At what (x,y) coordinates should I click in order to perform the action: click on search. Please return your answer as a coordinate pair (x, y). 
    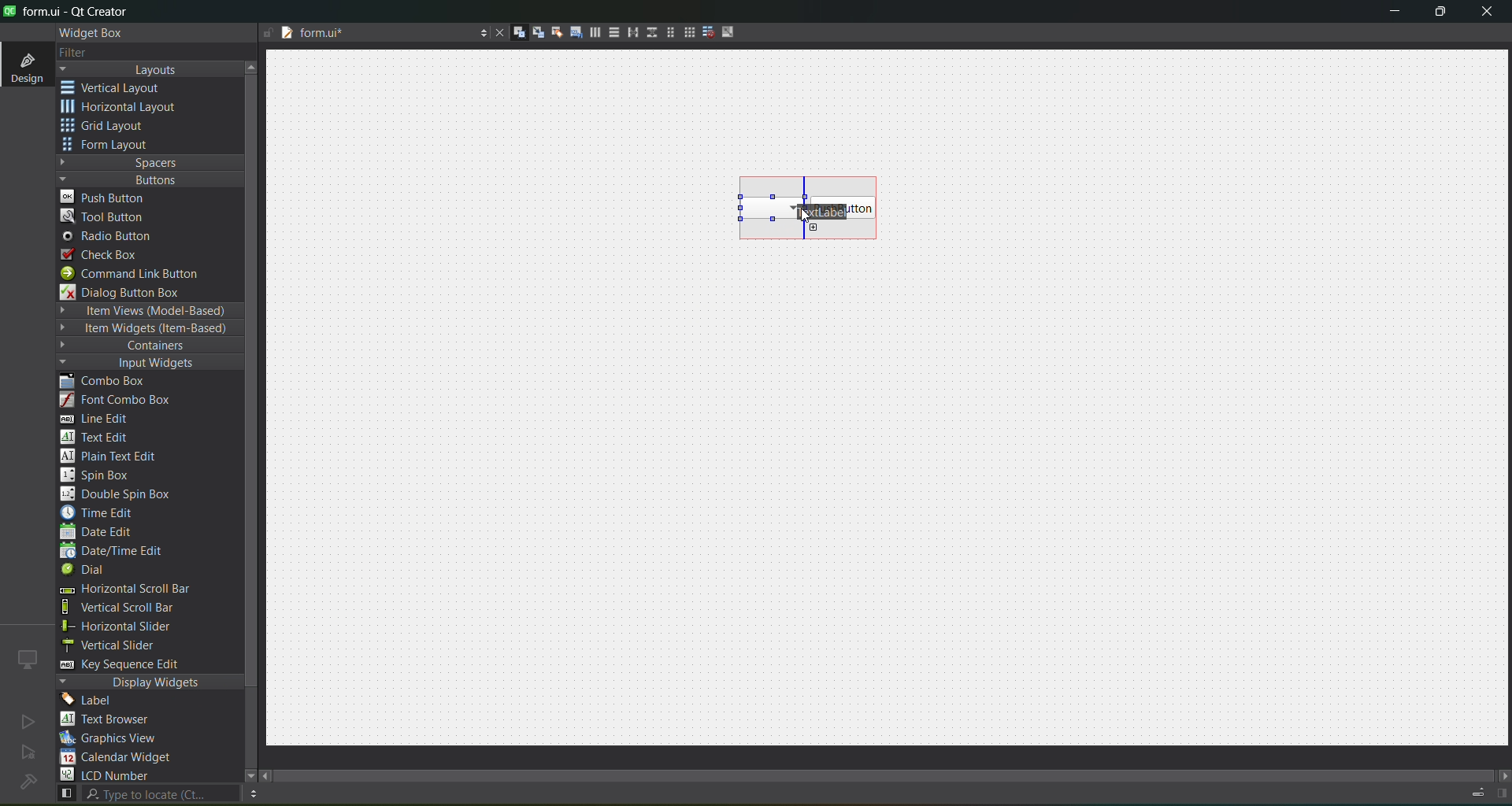
    Looking at the image, I should click on (146, 794).